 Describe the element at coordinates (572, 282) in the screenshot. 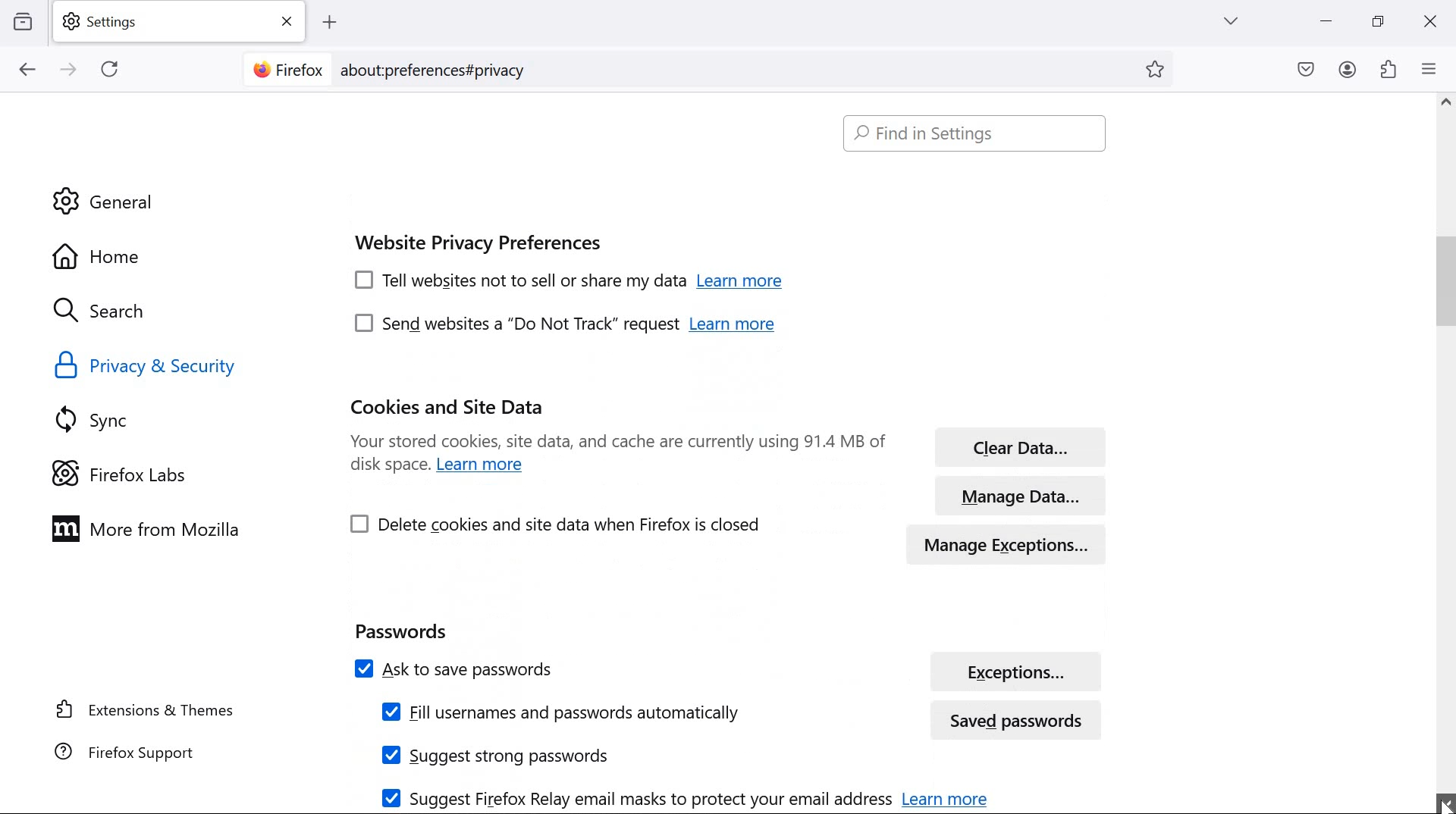

I see `[7] Tell websites not to sell or share my data Learn more` at that location.